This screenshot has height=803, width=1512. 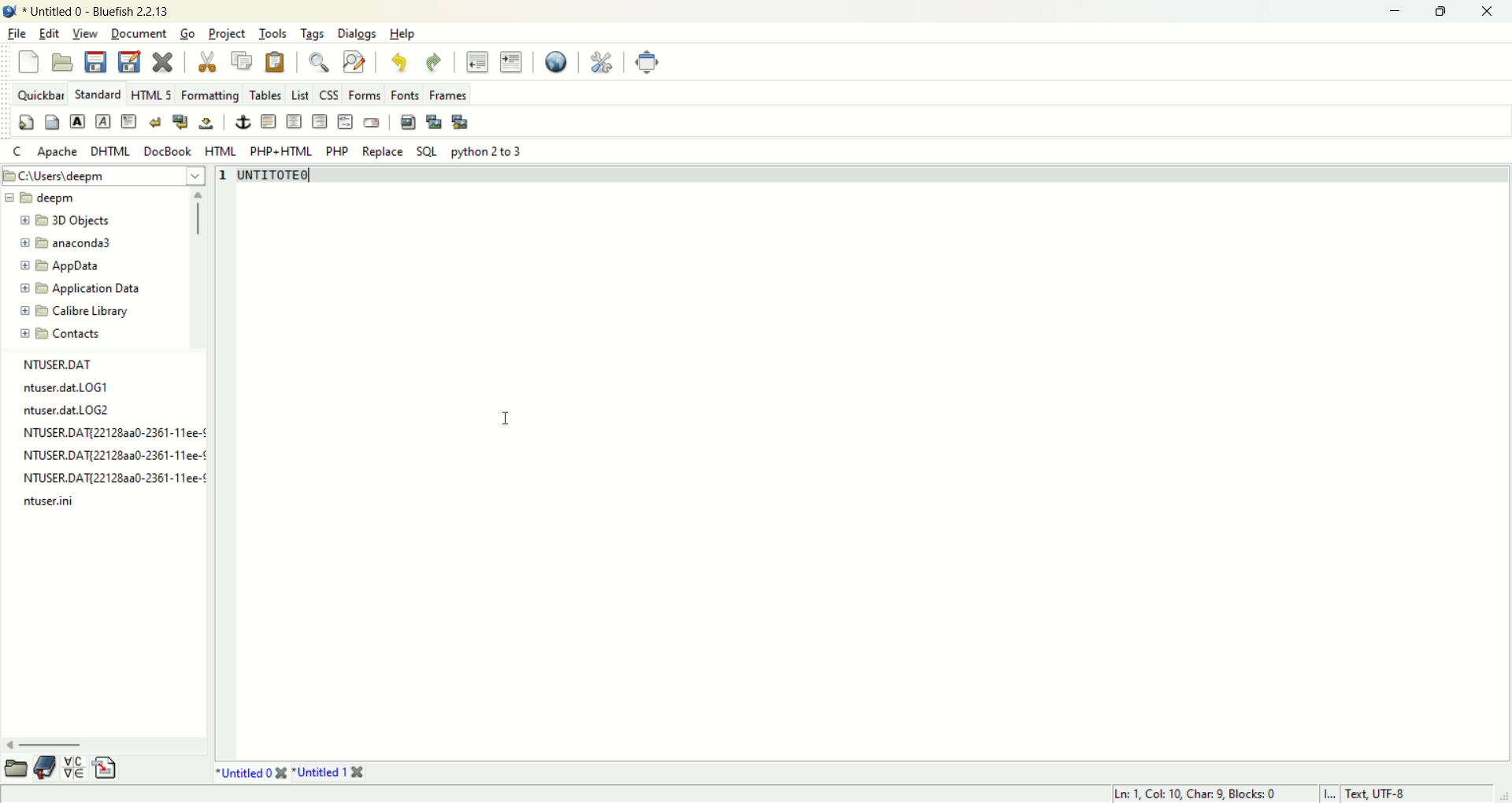 What do you see at coordinates (488, 152) in the screenshot?
I see `python 2 to 3` at bounding box center [488, 152].